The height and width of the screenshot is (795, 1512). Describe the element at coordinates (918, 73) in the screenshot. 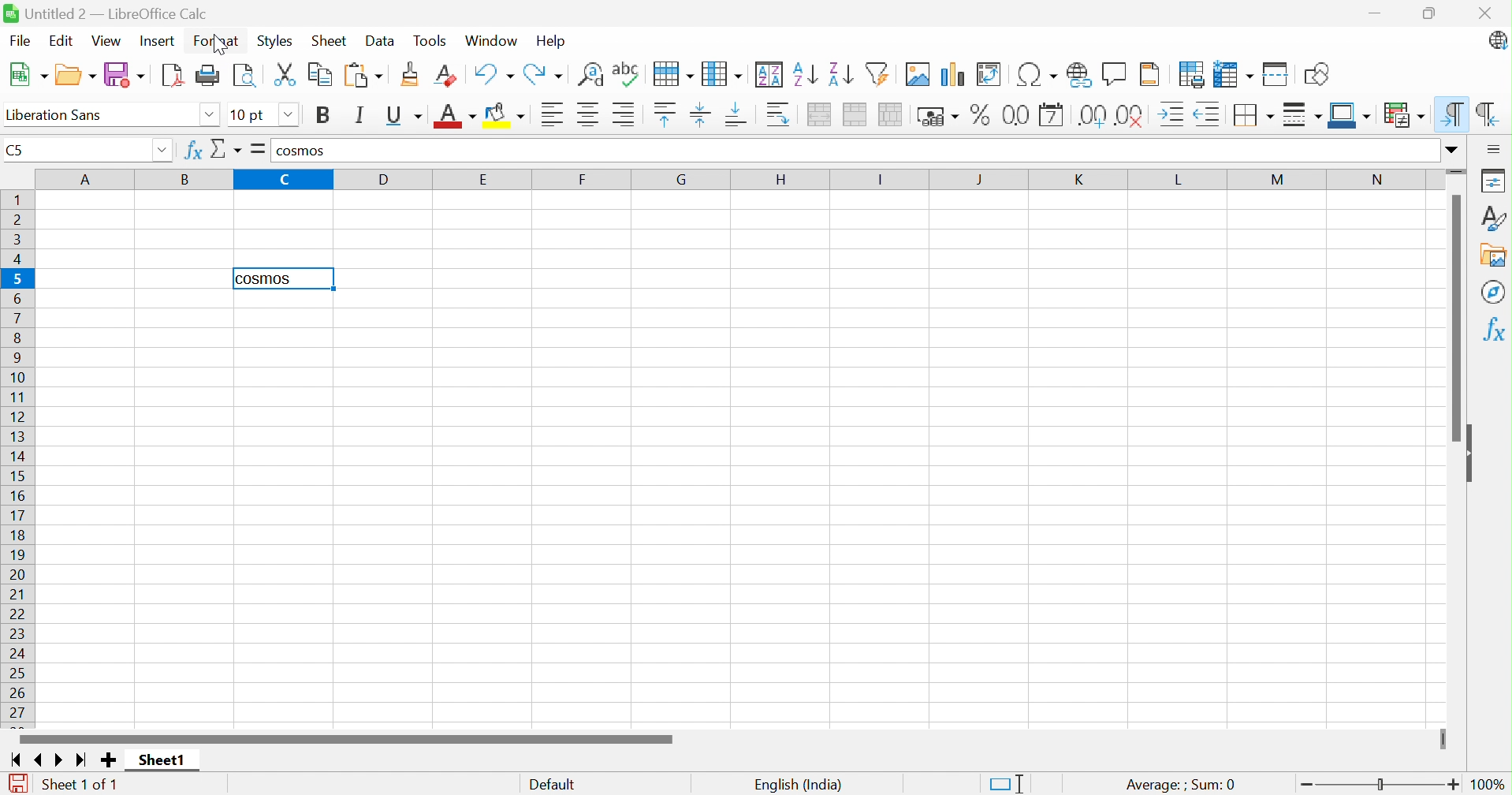

I see `Insert image` at that location.